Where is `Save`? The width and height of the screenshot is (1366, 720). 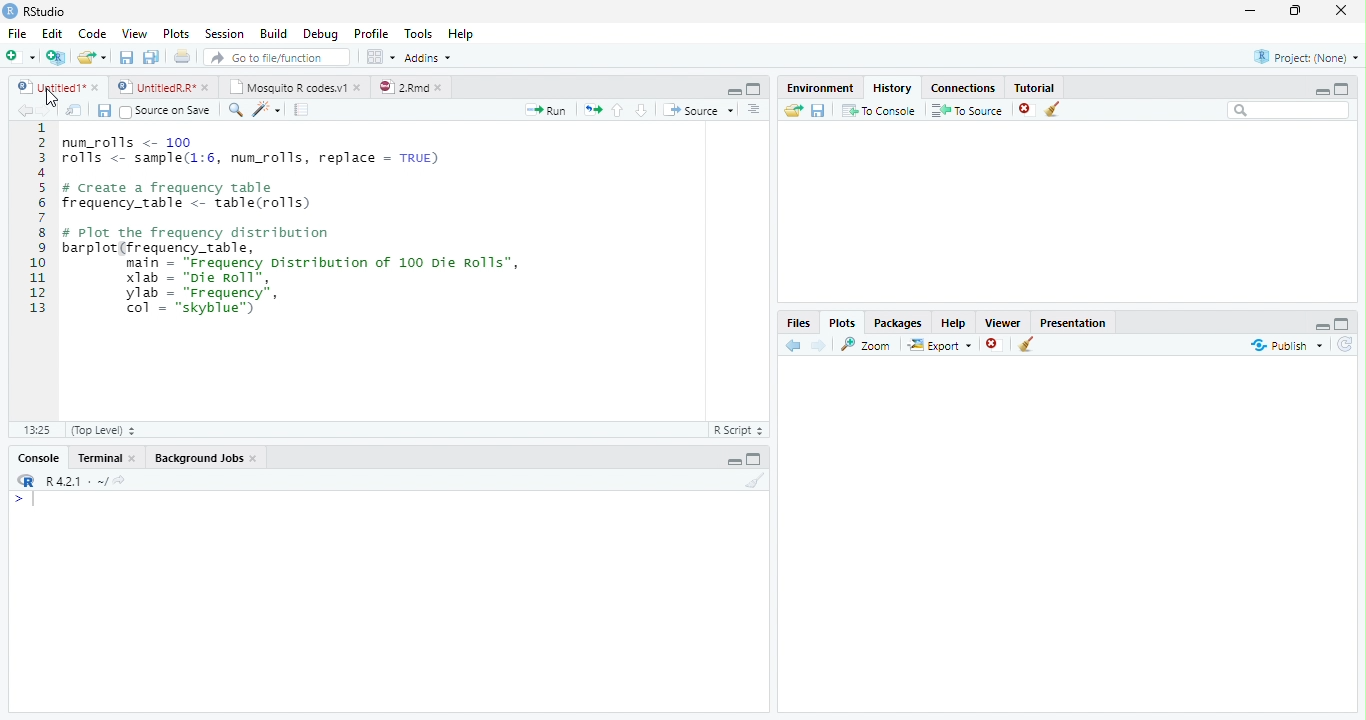 Save is located at coordinates (103, 110).